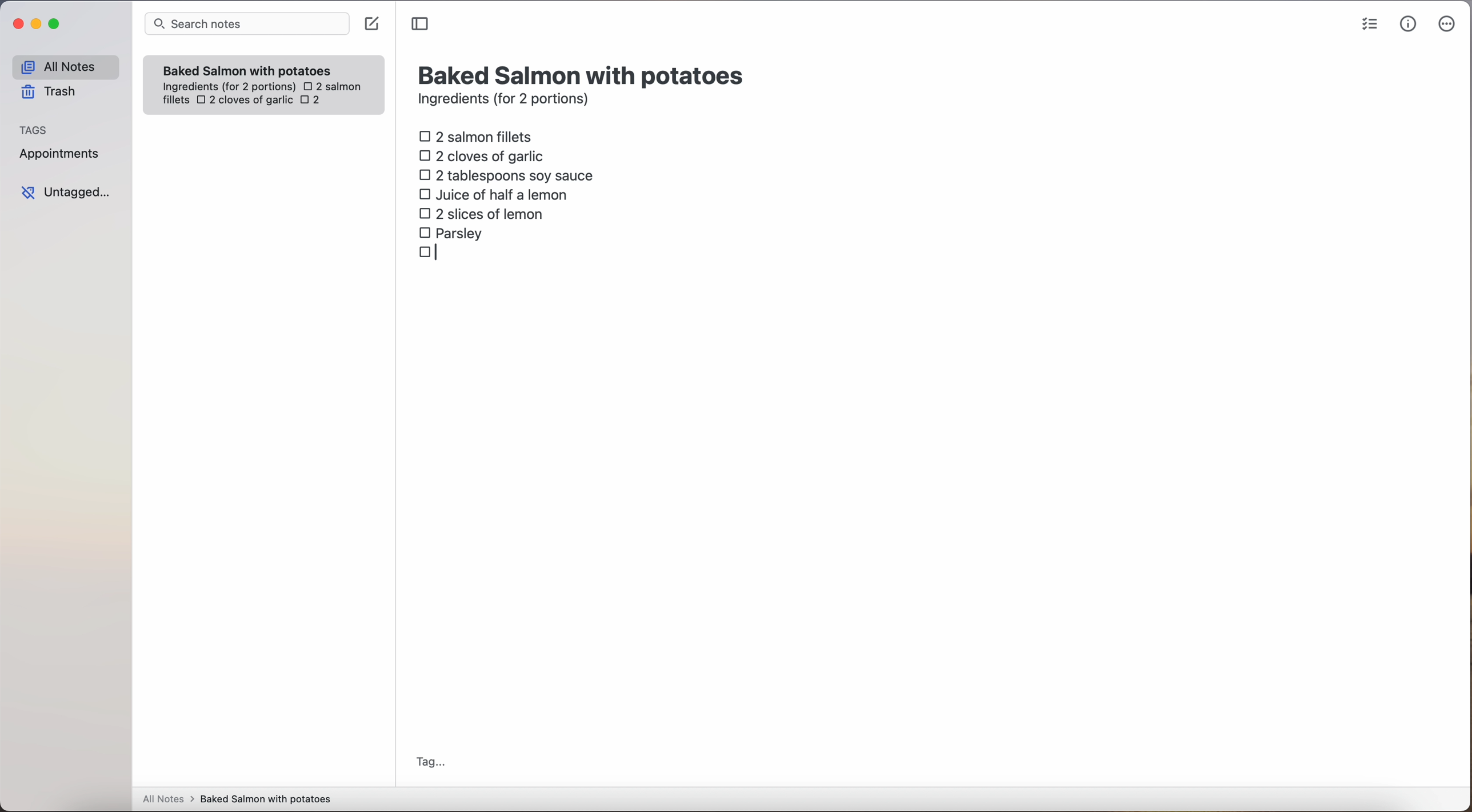 The width and height of the screenshot is (1472, 812). I want to click on 2 cloves of garlic, so click(245, 101).